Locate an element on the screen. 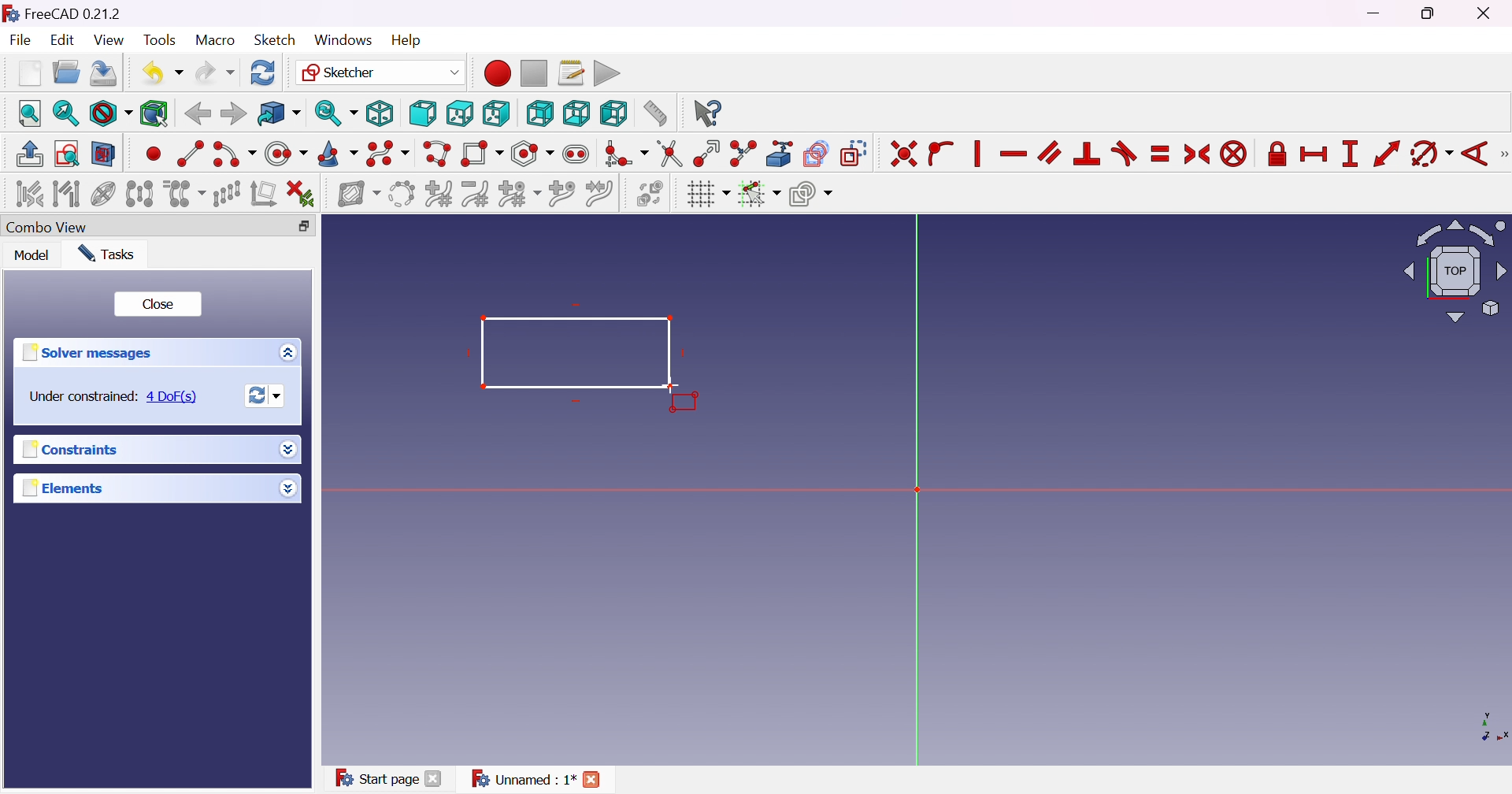 This screenshot has height=794, width=1512. Stop macro recording... is located at coordinates (535, 72).